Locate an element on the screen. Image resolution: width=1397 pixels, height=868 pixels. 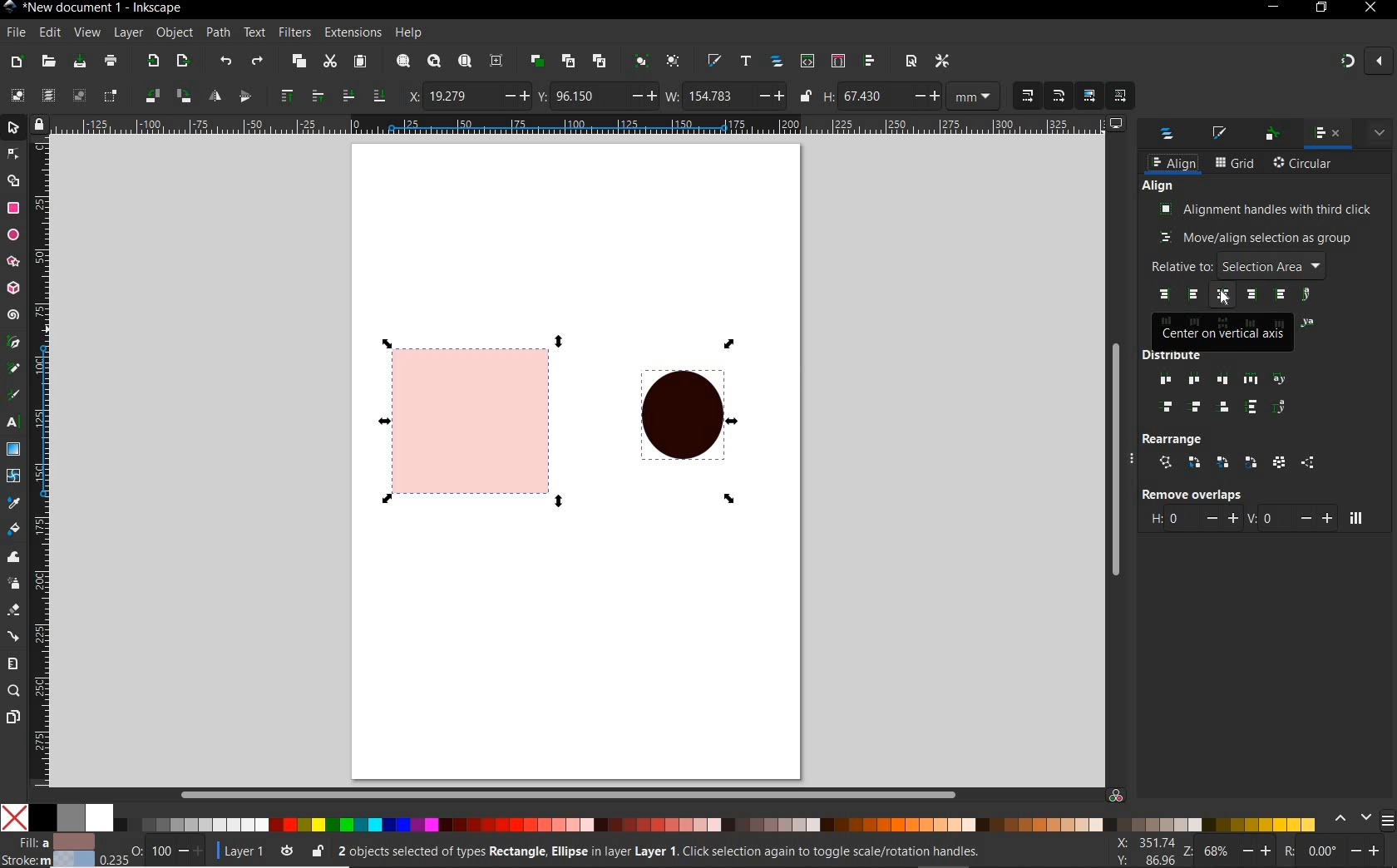
EVEN HORIZONTAL GAPS is located at coordinates (1251, 379).